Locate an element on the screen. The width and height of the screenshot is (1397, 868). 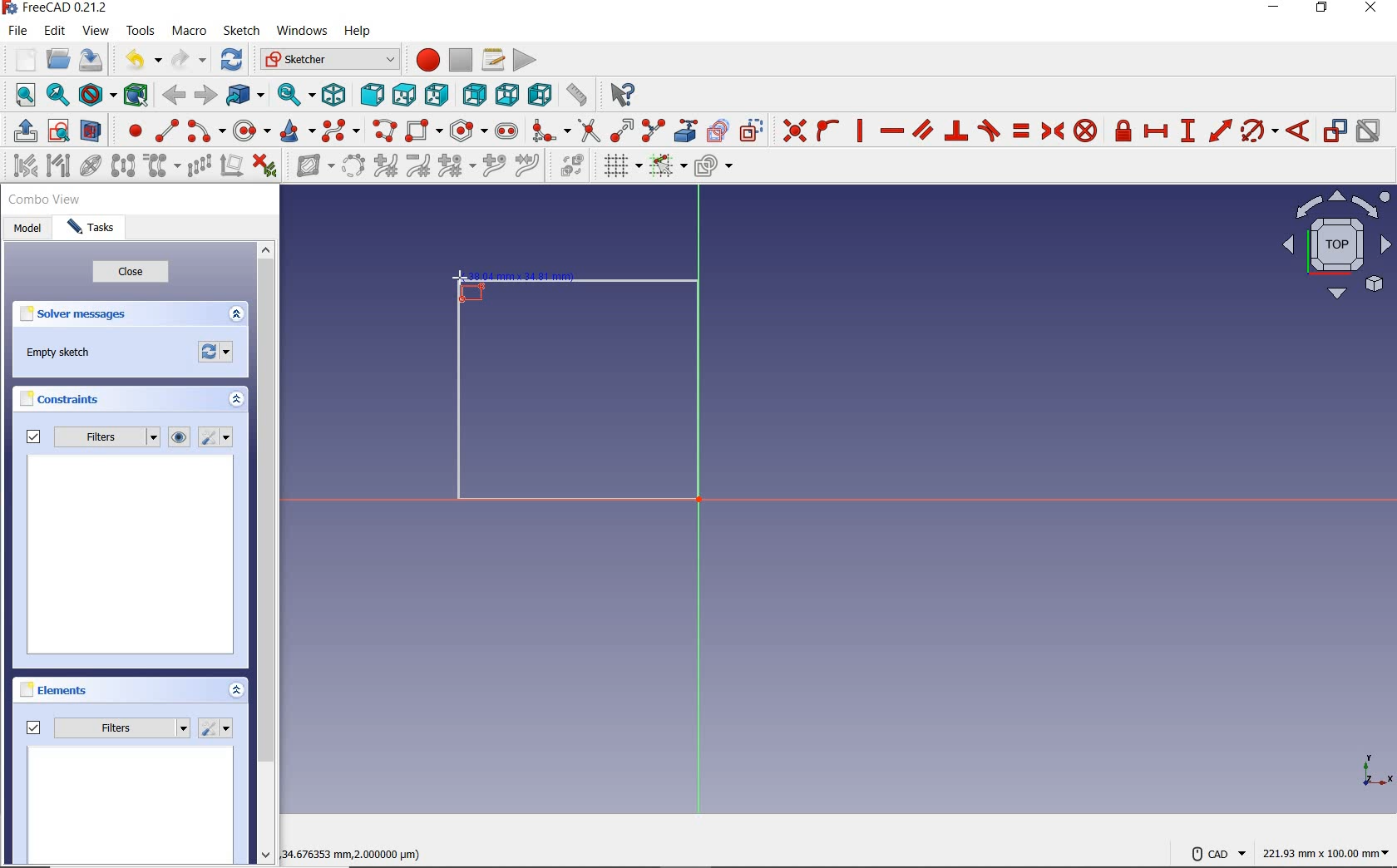
preview is located at coordinates (131, 806).